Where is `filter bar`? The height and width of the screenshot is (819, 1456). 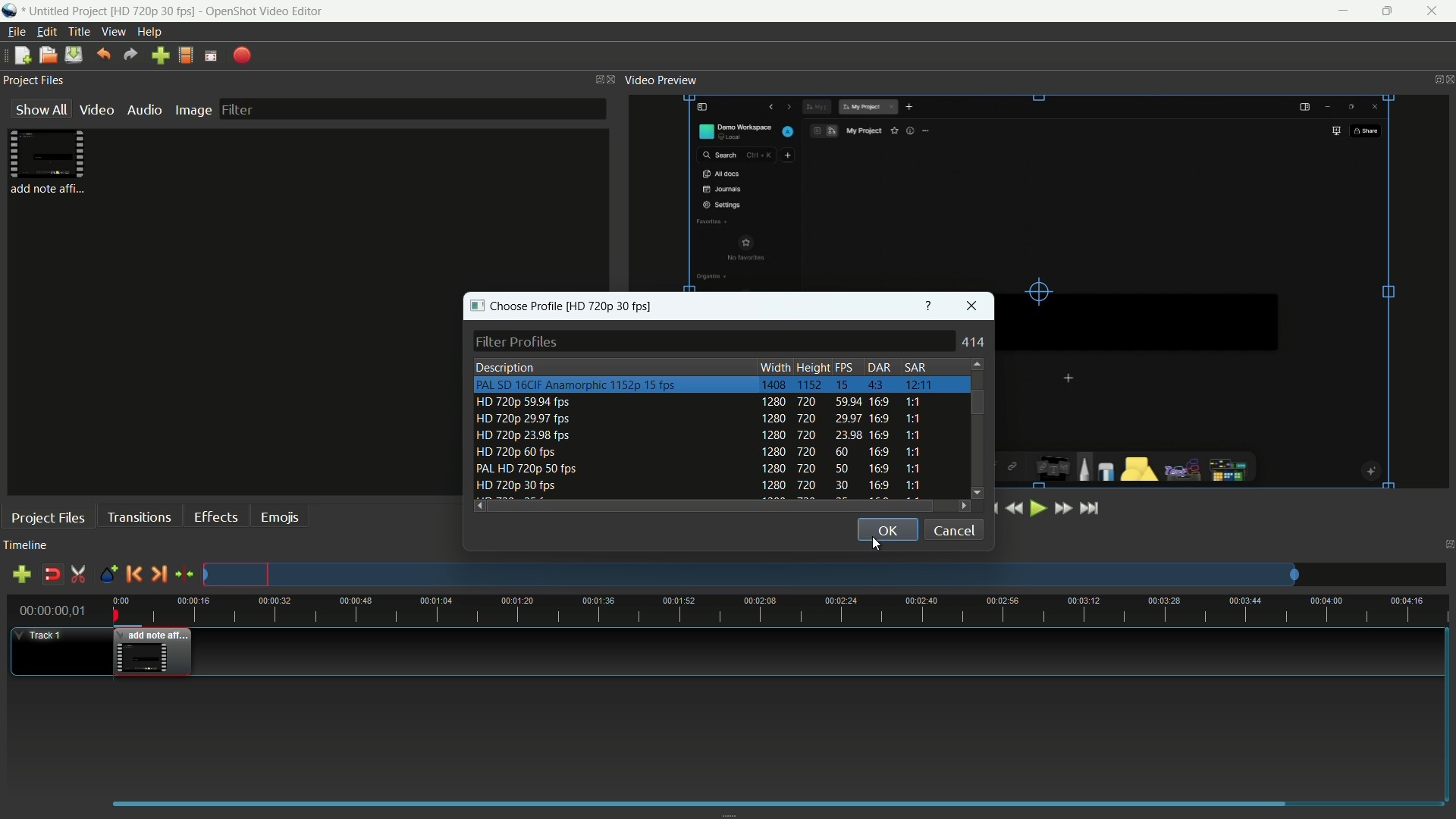 filter bar is located at coordinates (414, 108).